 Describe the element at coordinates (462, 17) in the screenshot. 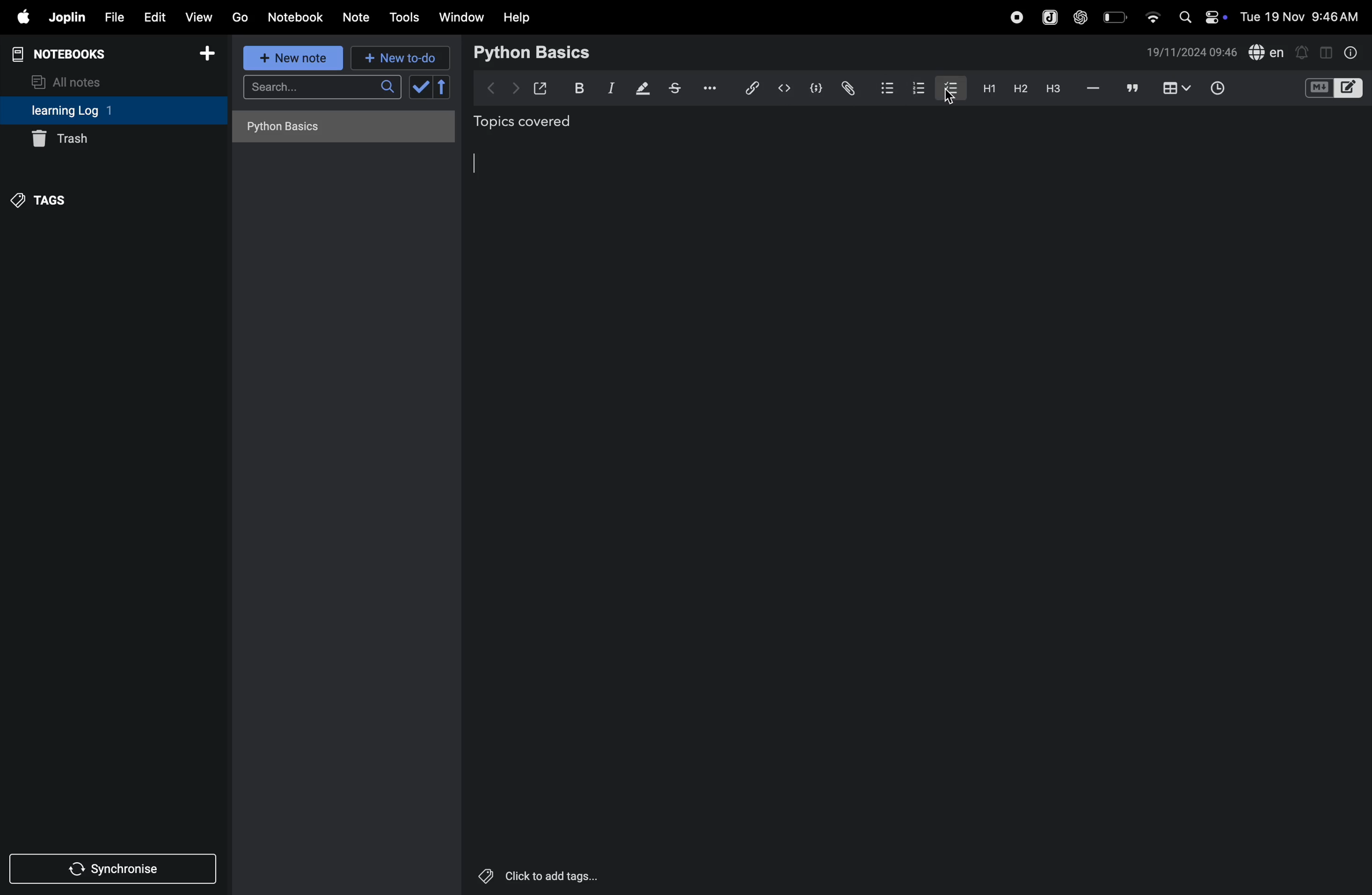

I see `window` at that location.